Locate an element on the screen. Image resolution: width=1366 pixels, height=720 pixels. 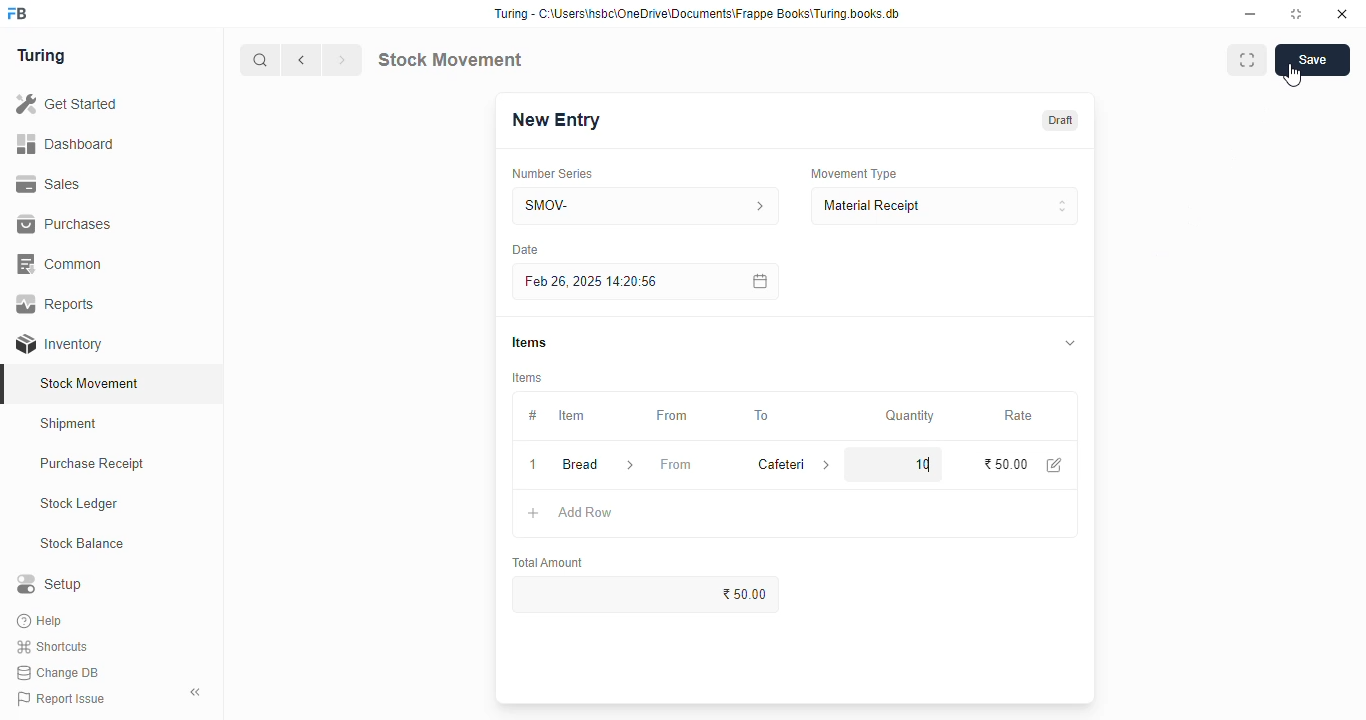
search is located at coordinates (261, 60).